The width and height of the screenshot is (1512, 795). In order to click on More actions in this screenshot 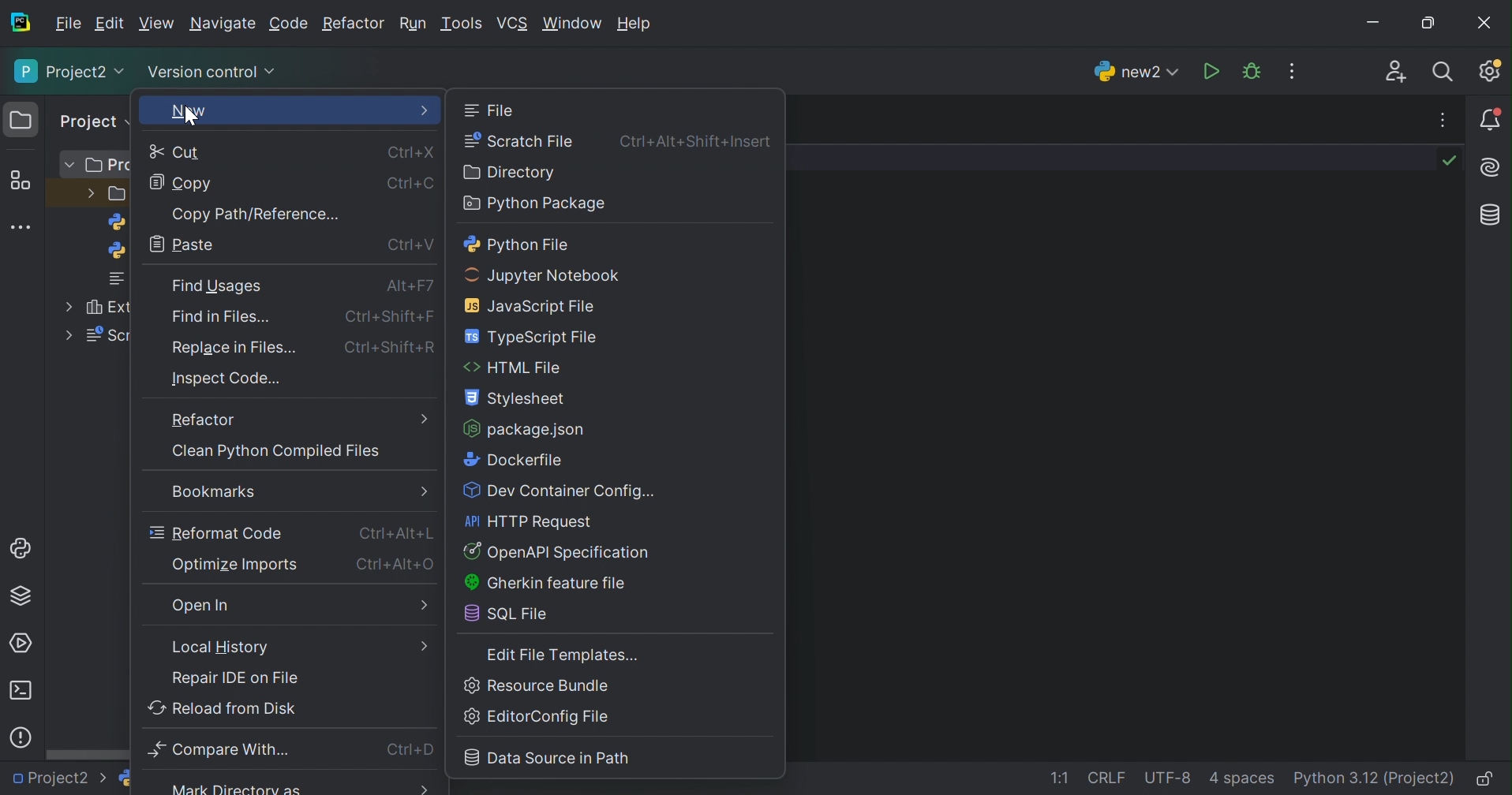, I will do `click(1294, 70)`.